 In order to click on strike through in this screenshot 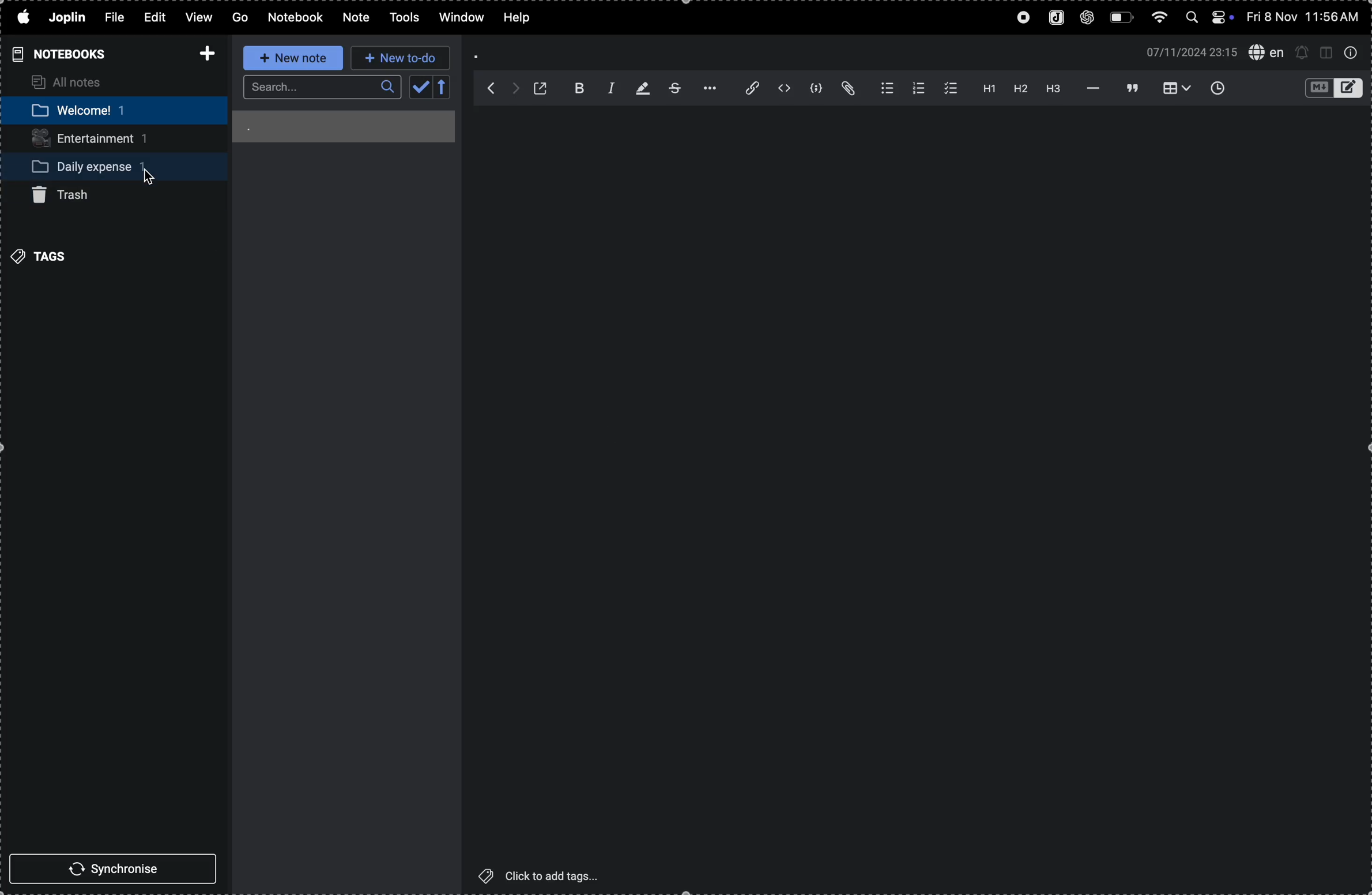, I will do `click(673, 88)`.